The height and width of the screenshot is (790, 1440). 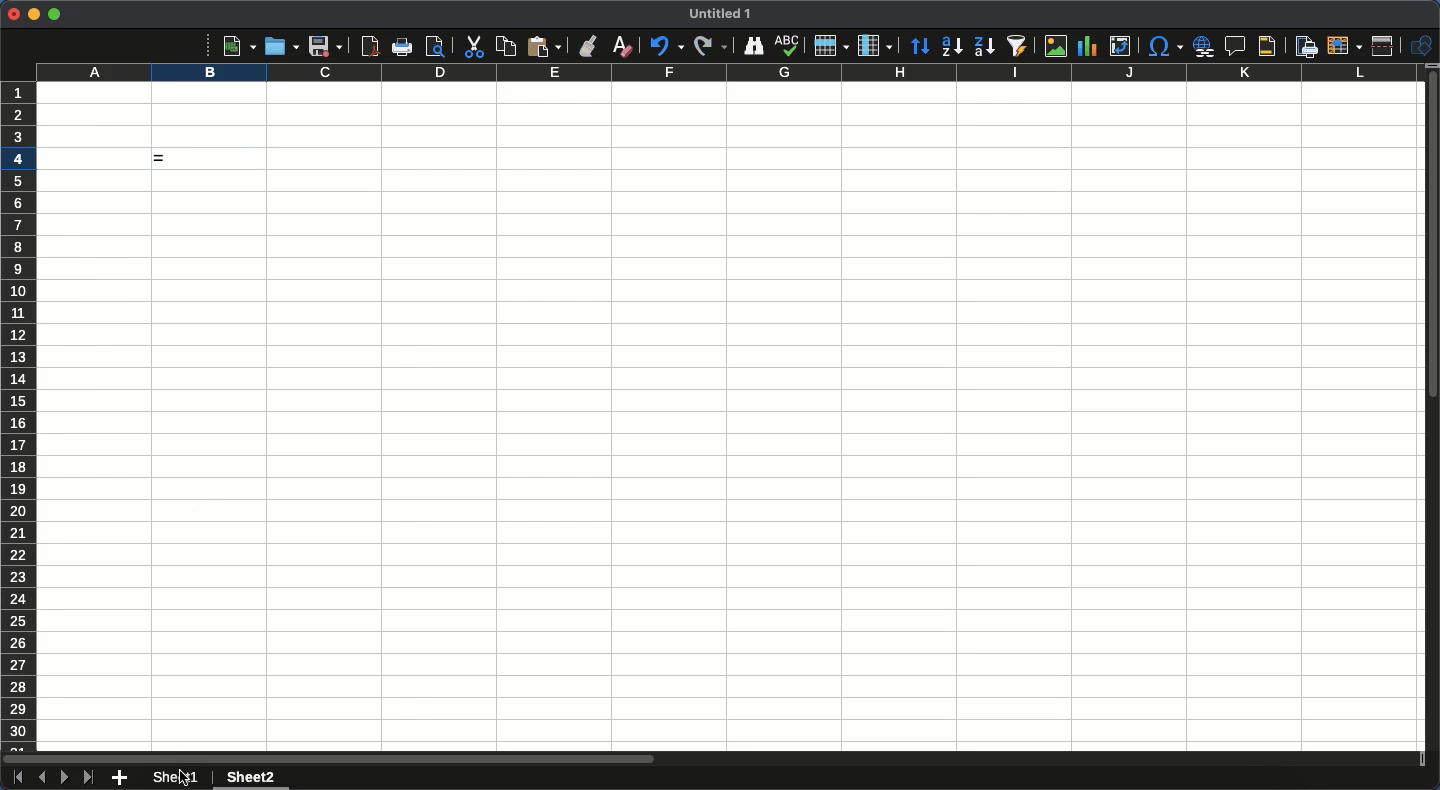 I want to click on Split window, so click(x=1387, y=46).